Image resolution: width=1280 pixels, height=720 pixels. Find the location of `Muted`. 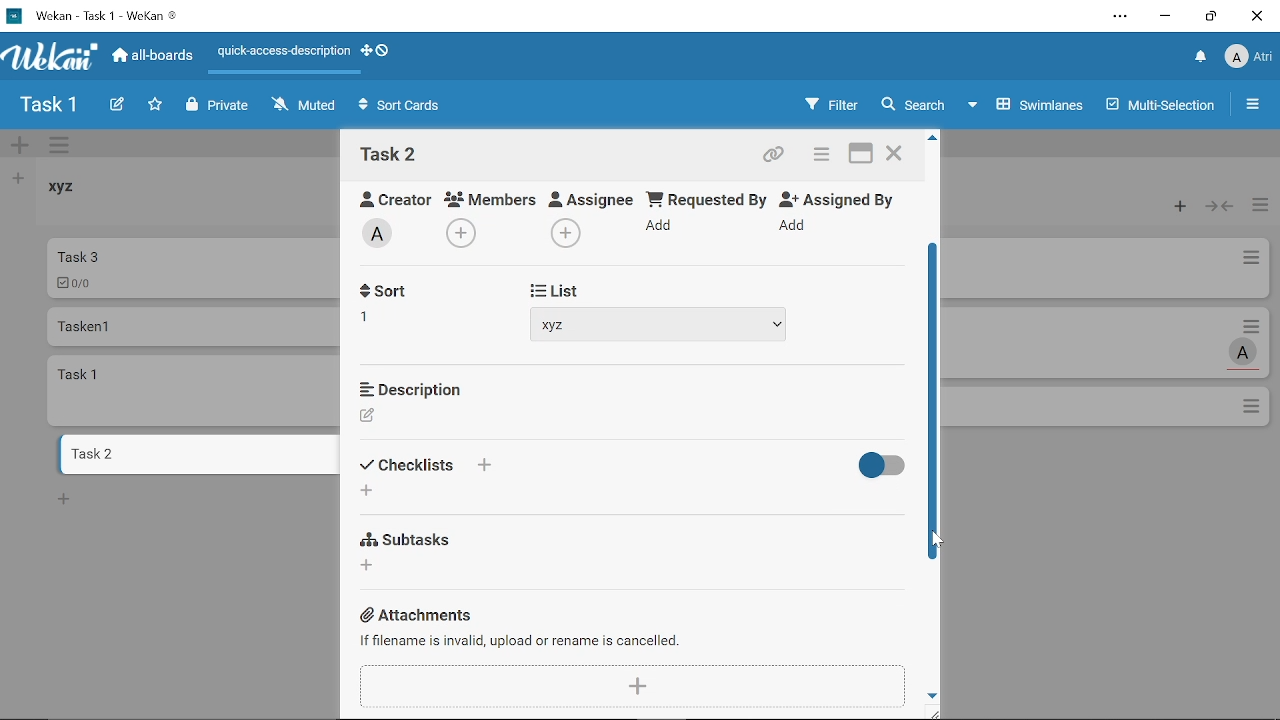

Muted is located at coordinates (305, 104).